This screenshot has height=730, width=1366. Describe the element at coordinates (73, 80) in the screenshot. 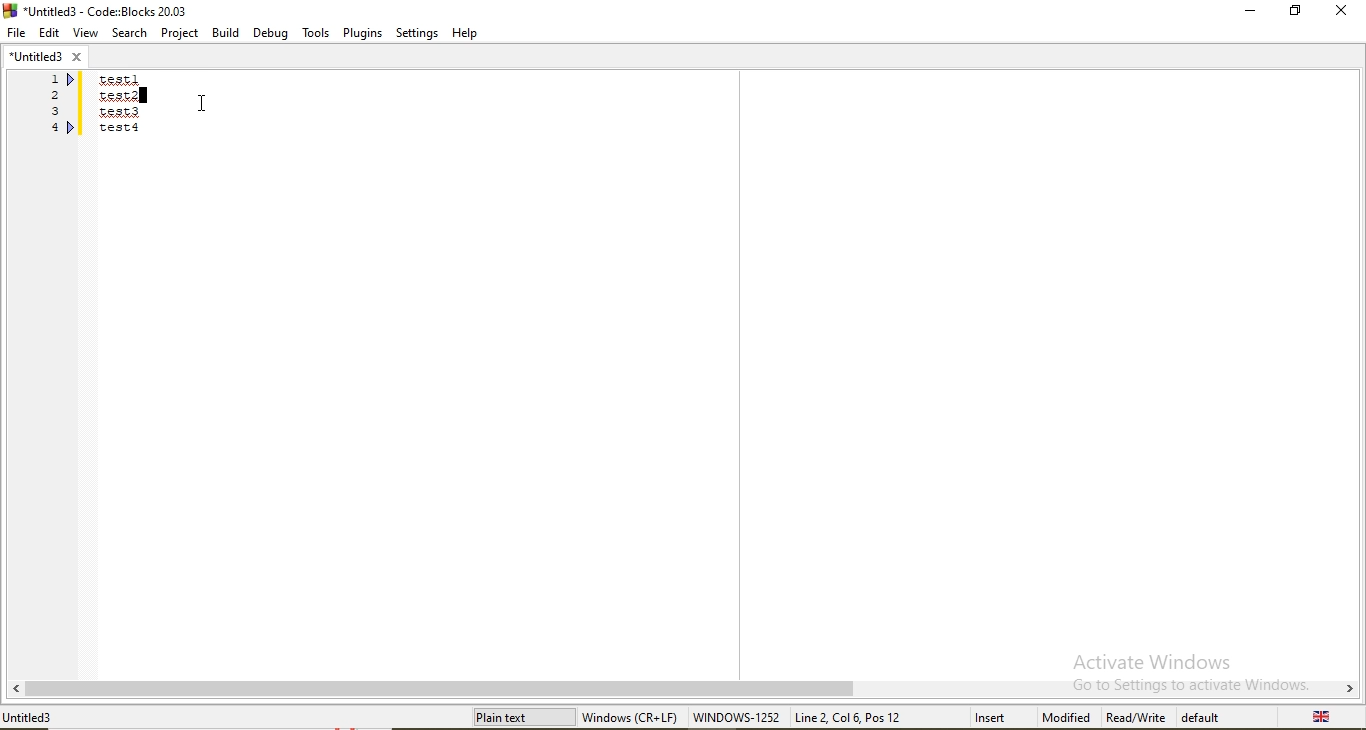

I see `indicator beside 1` at that location.